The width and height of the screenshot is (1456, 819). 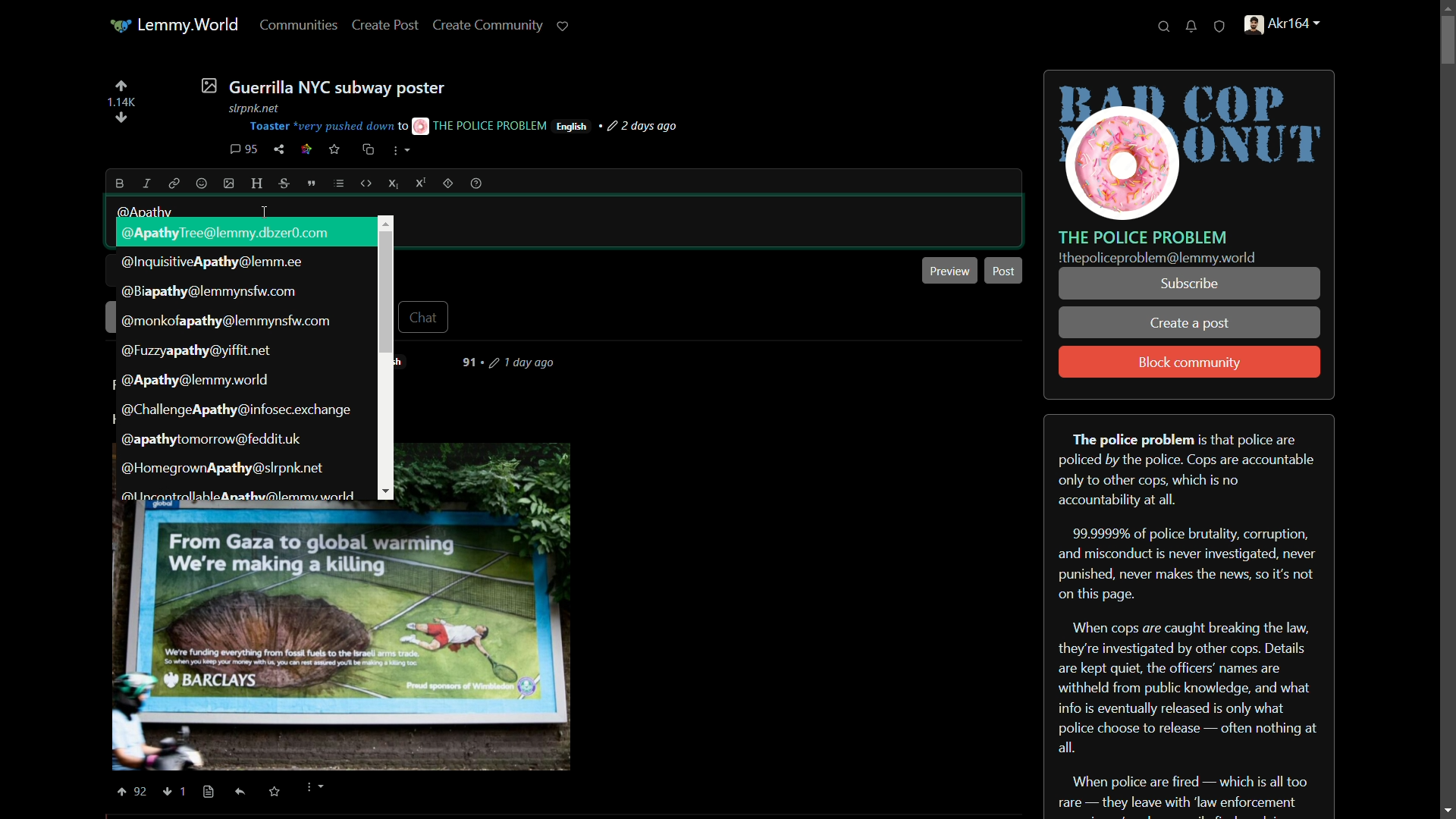 I want to click on post-title, so click(x=322, y=86).